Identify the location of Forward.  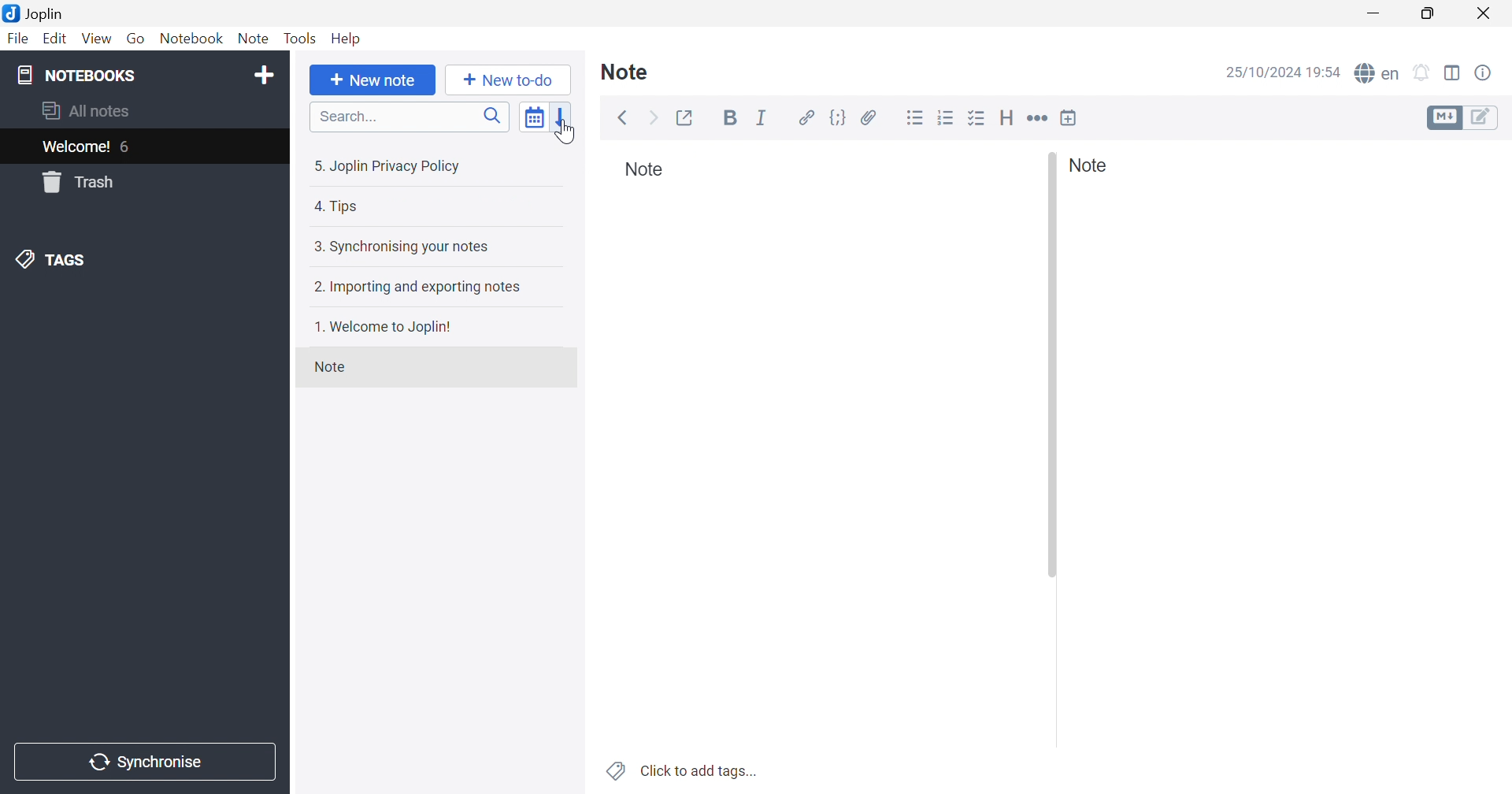
(654, 118).